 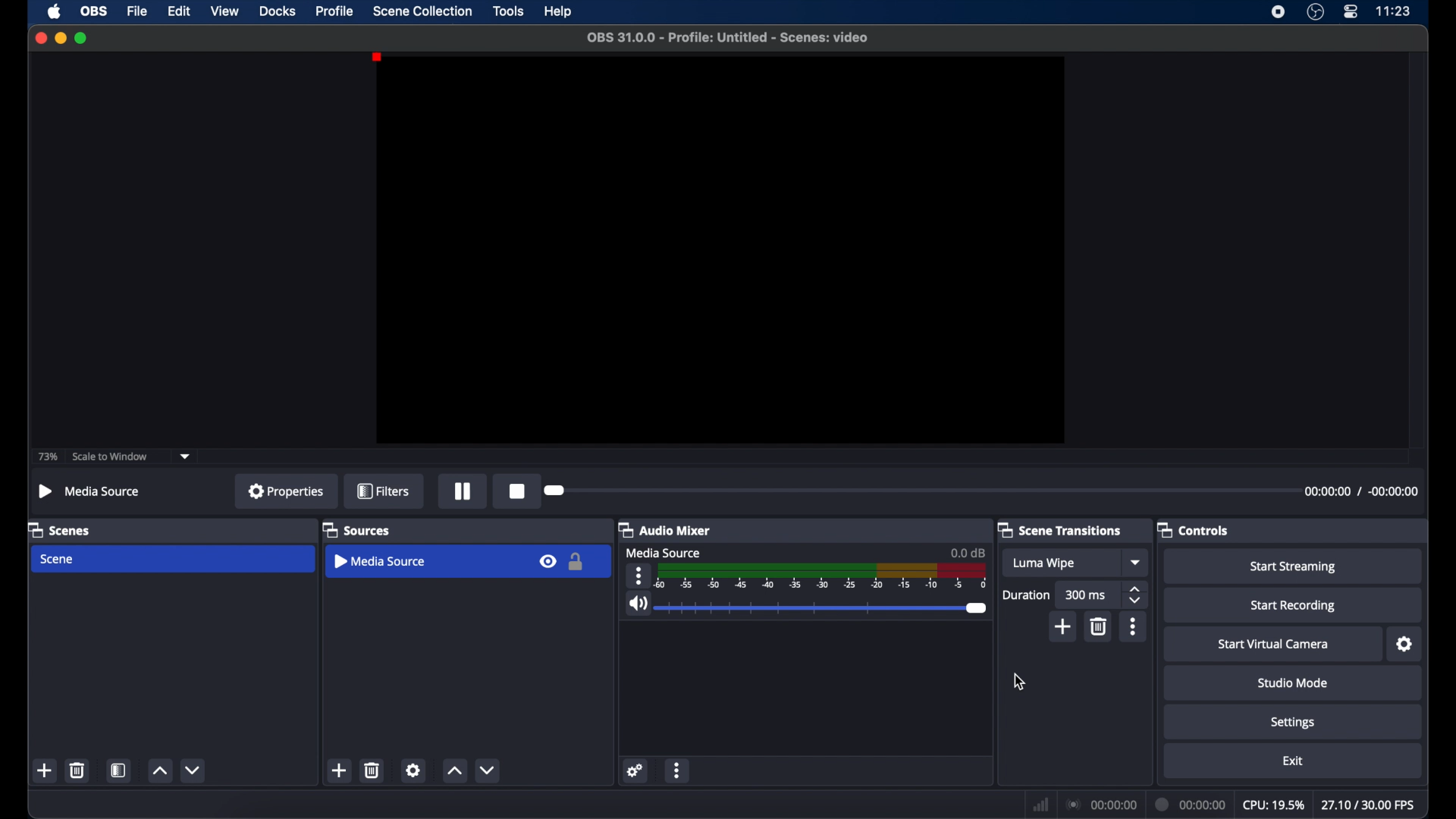 I want to click on decrement, so click(x=488, y=770).